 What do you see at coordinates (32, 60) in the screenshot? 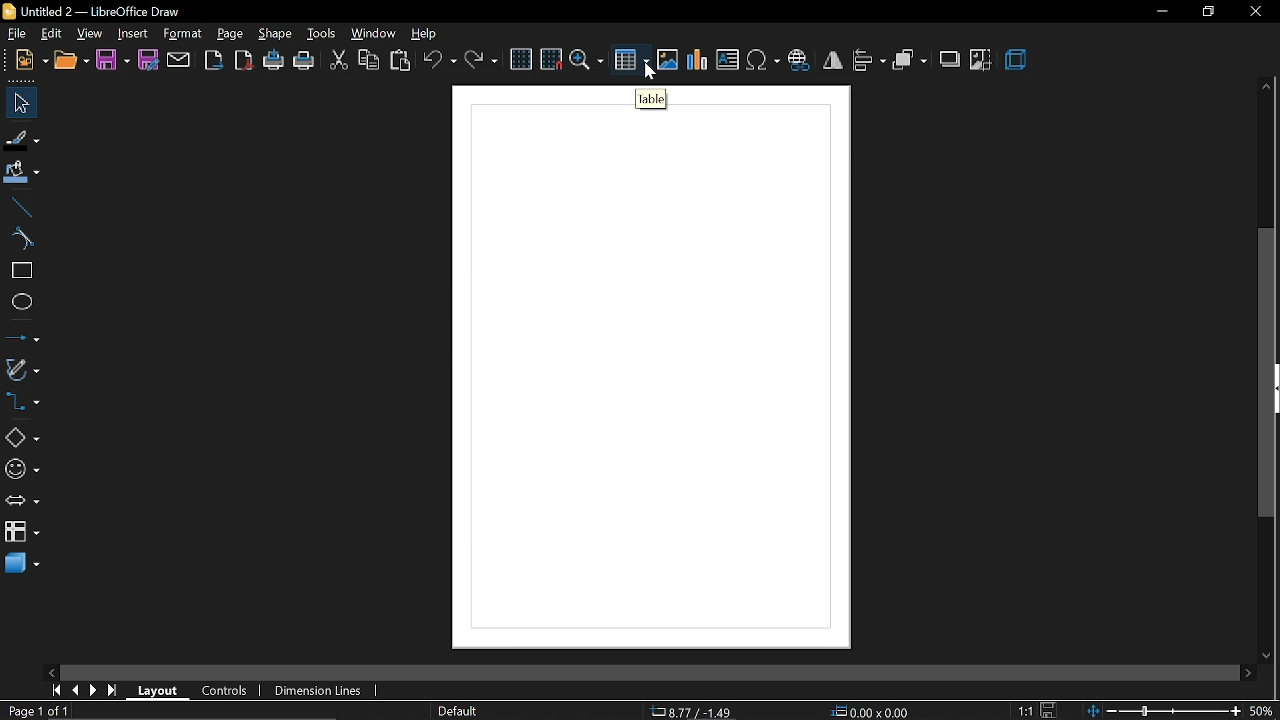
I see `new` at bounding box center [32, 60].